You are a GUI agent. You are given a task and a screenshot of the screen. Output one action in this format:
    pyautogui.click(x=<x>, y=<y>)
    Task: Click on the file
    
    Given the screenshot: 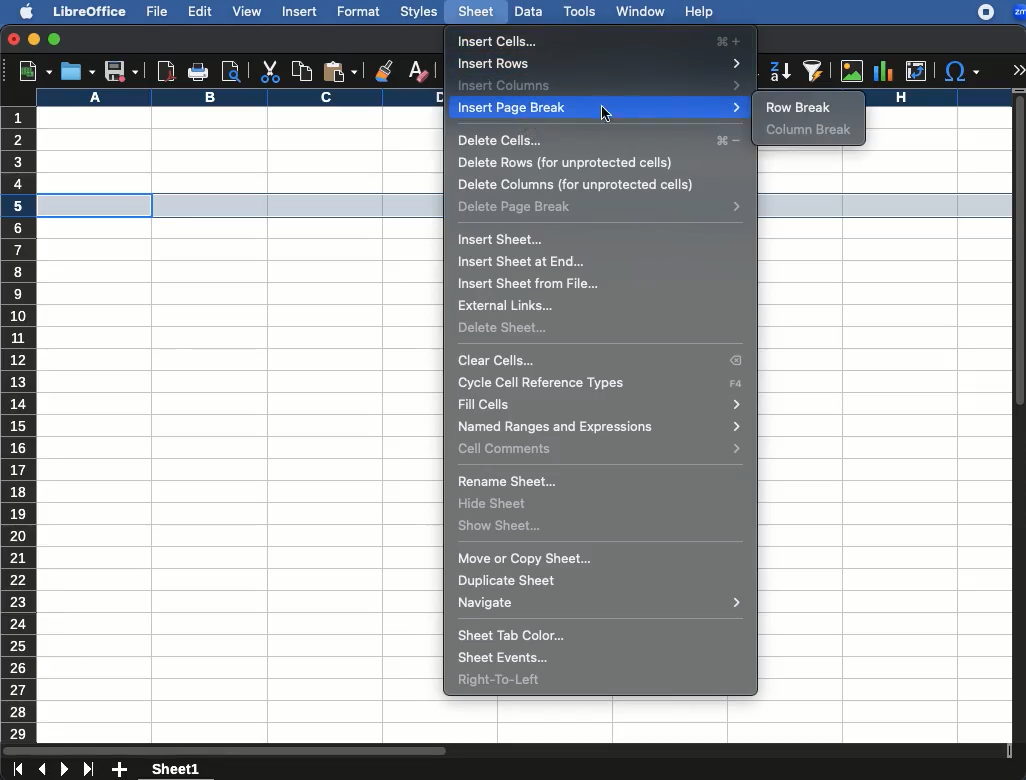 What is the action you would take?
    pyautogui.click(x=156, y=12)
    